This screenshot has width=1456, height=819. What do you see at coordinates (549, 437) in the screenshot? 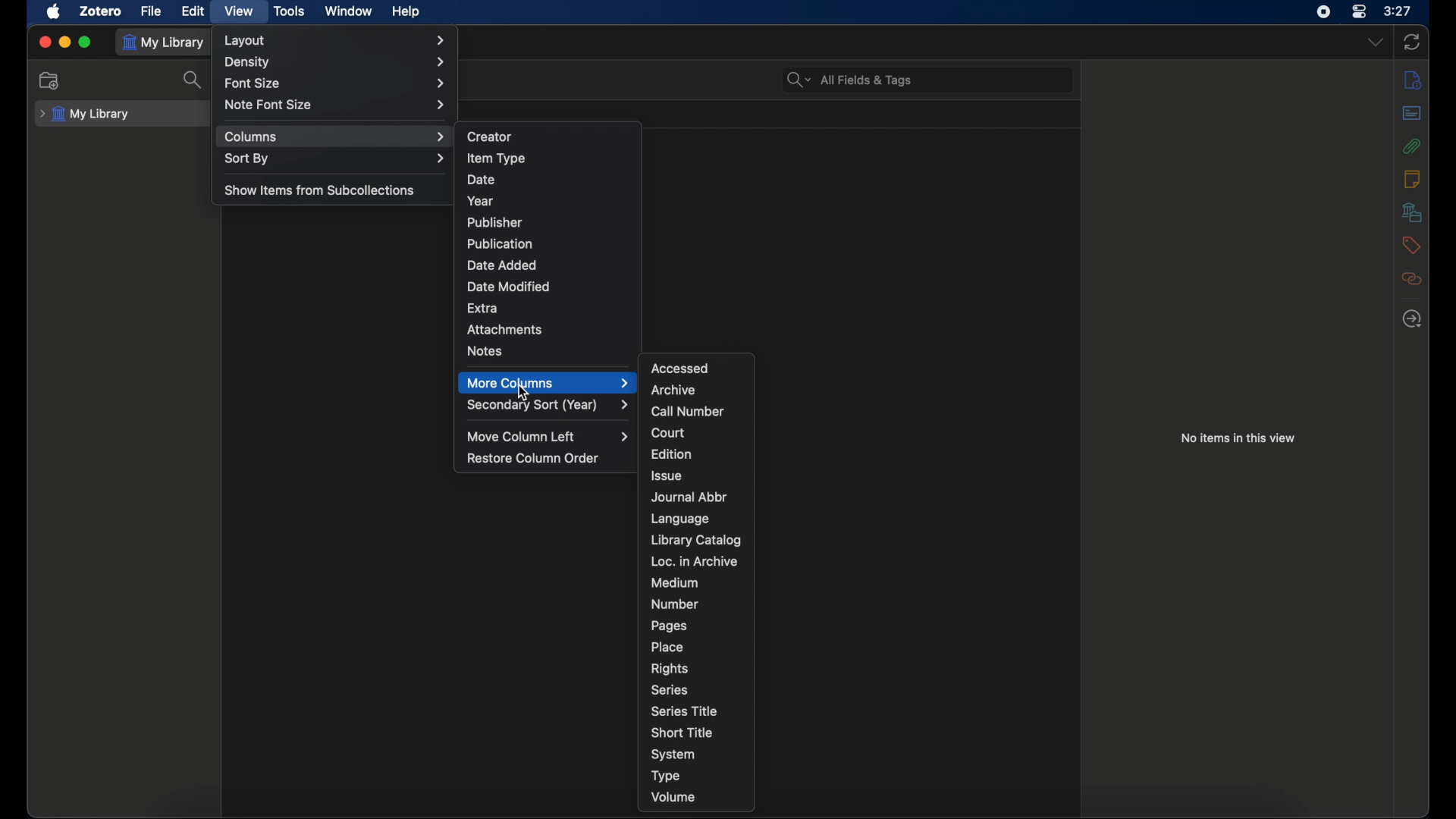
I see `move column left` at bounding box center [549, 437].